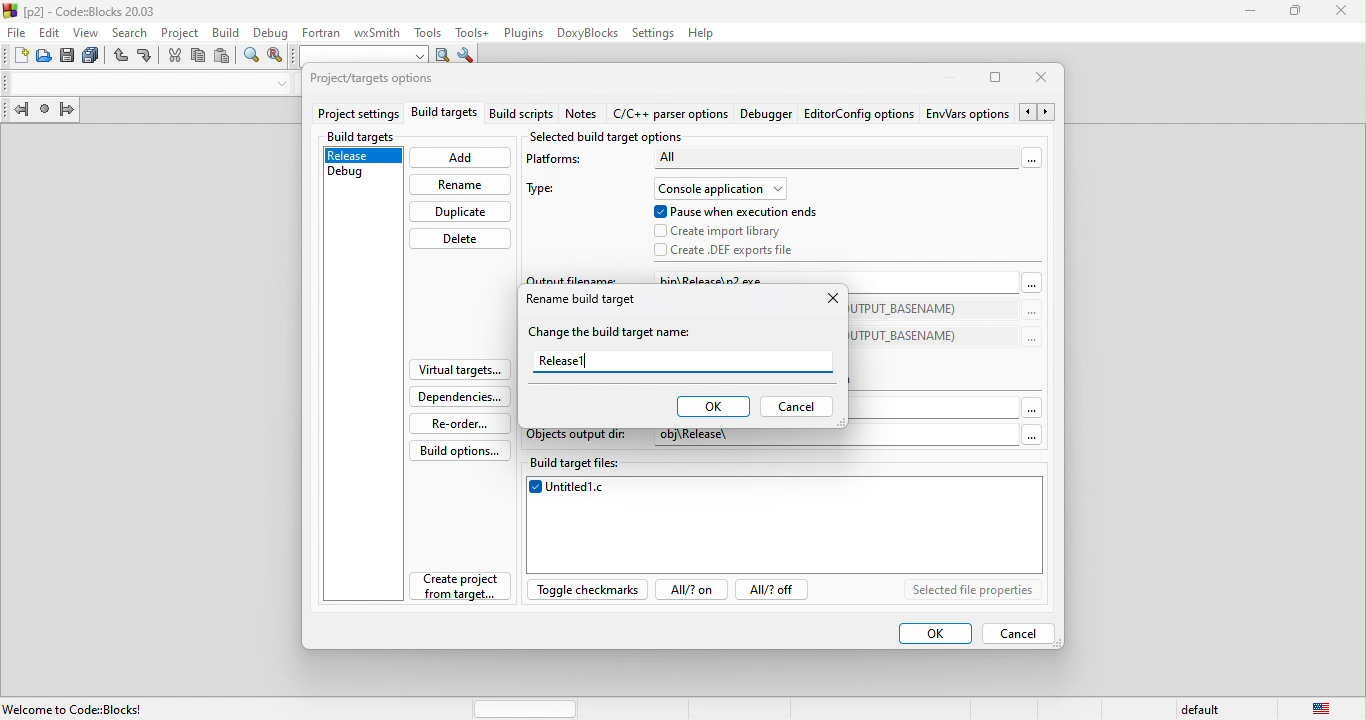  Describe the element at coordinates (372, 80) in the screenshot. I see `project\target option` at that location.